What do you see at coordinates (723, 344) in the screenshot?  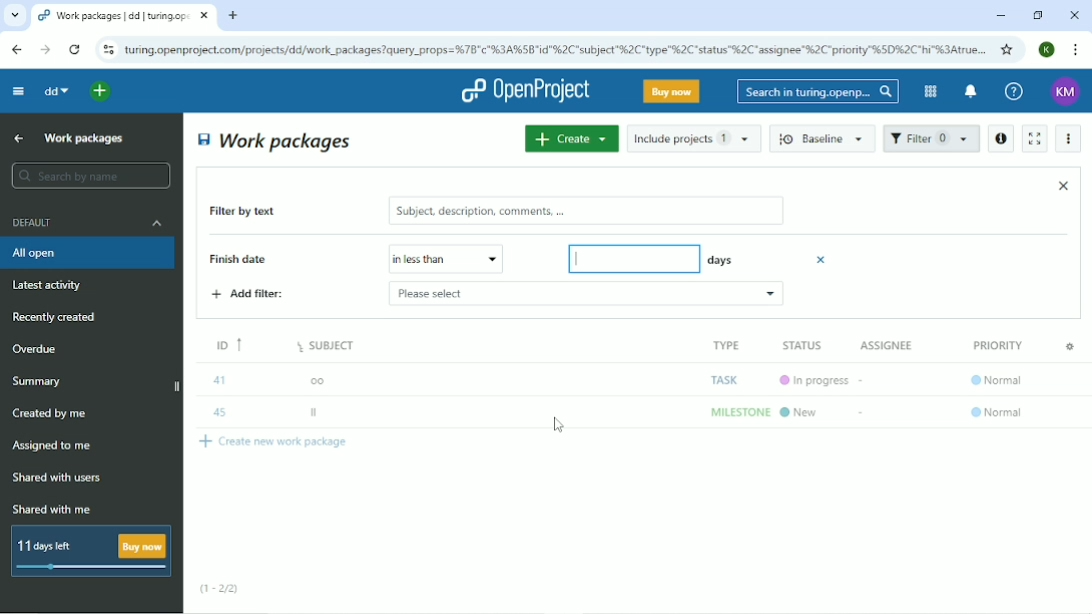 I see `type` at bounding box center [723, 344].